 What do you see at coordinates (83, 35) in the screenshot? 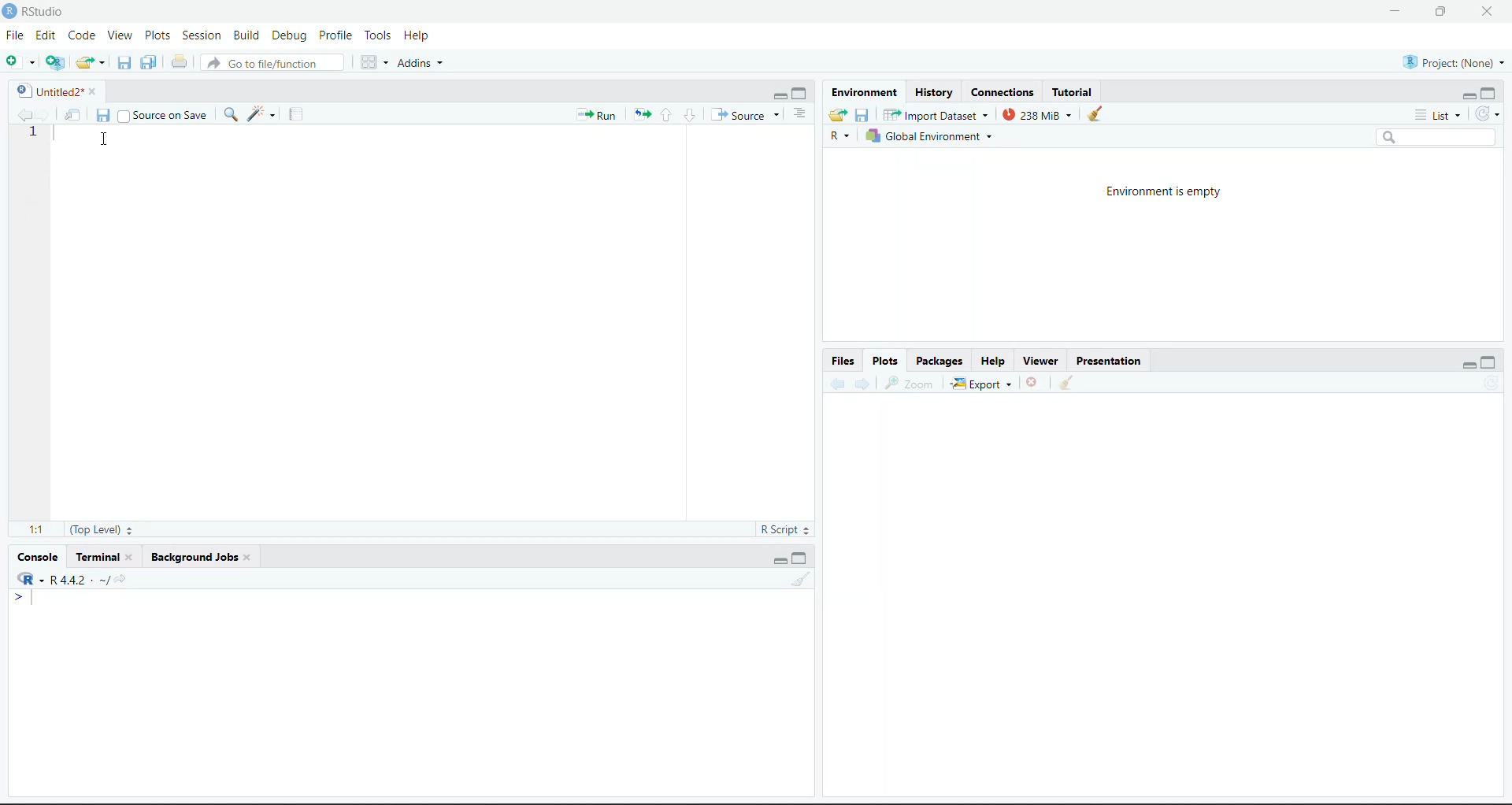
I see `Code` at bounding box center [83, 35].